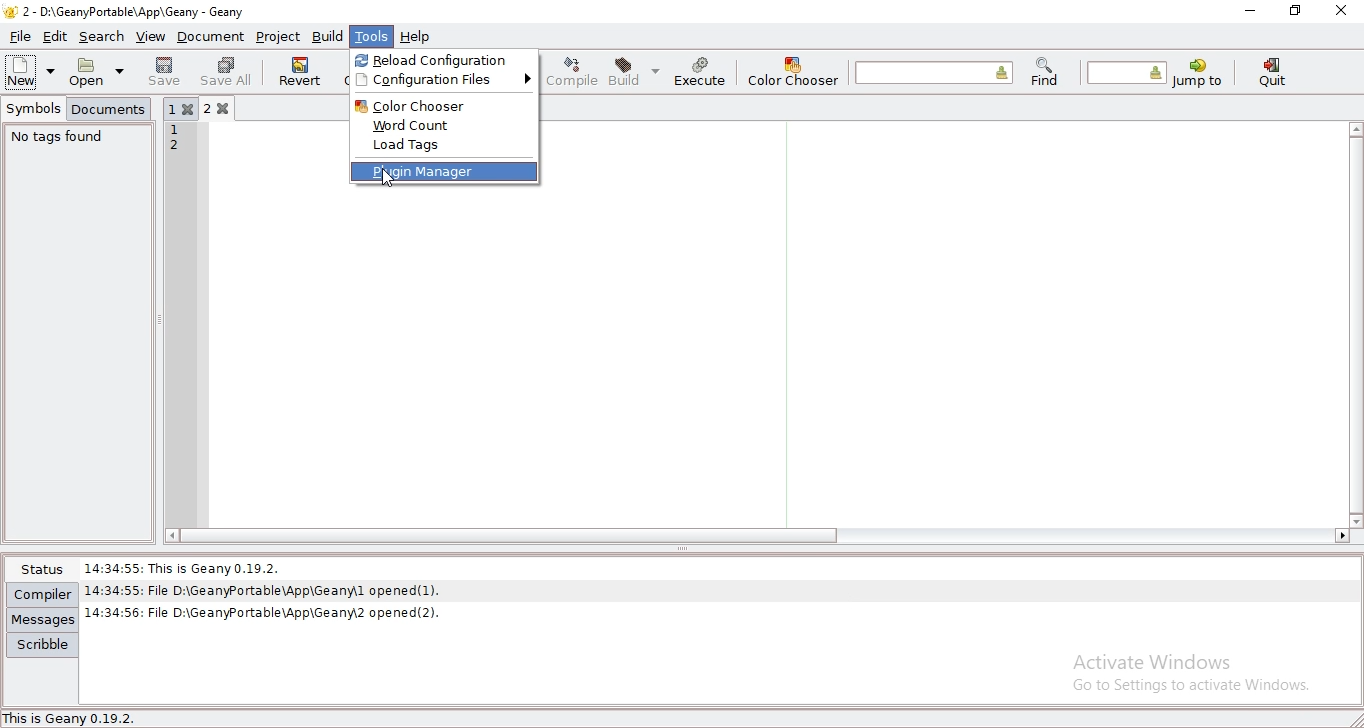 The height and width of the screenshot is (728, 1364). What do you see at coordinates (1187, 688) in the screenshot?
I see `go to settings to activate windows` at bounding box center [1187, 688].